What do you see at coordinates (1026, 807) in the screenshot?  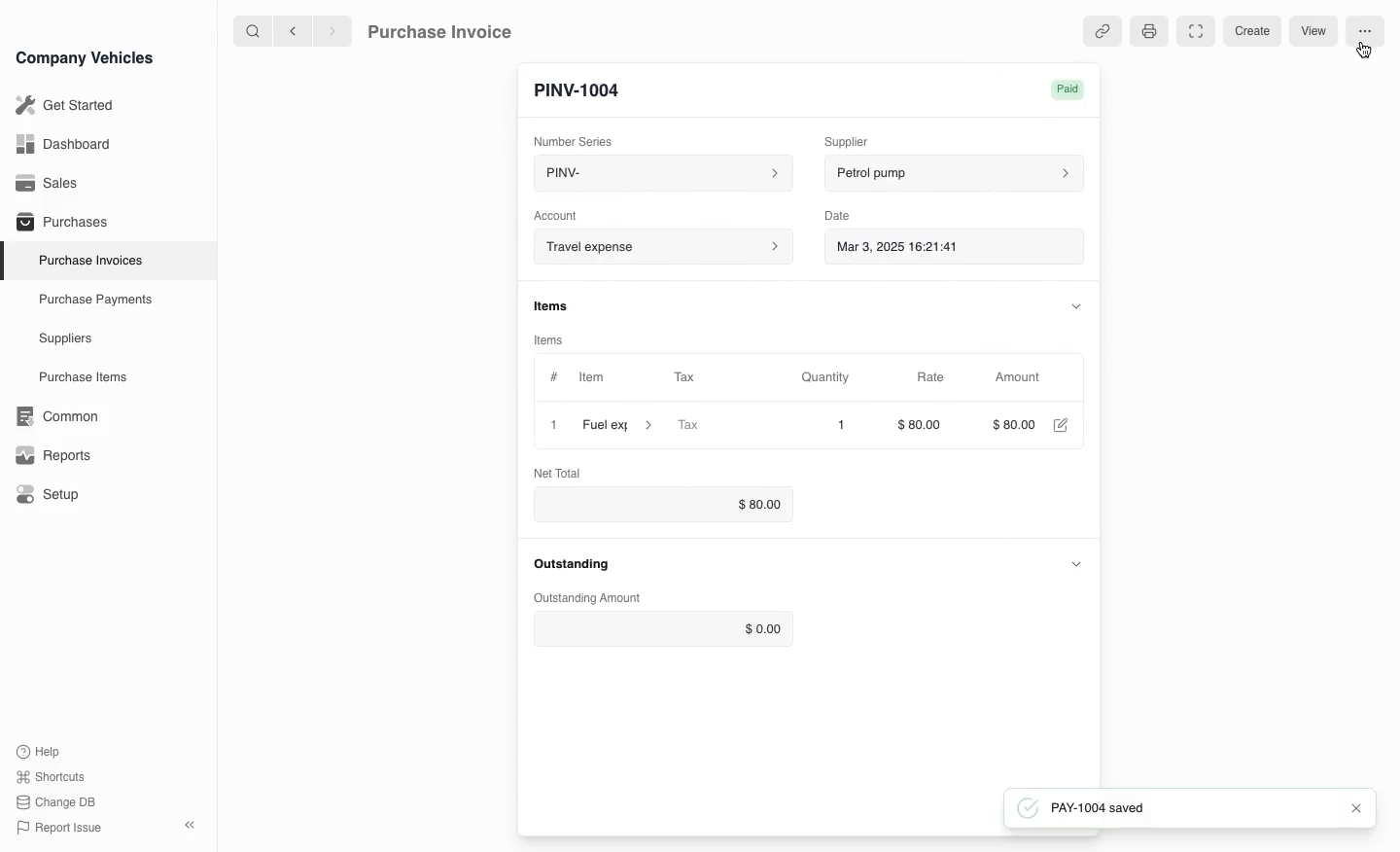 I see `tick mark` at bounding box center [1026, 807].